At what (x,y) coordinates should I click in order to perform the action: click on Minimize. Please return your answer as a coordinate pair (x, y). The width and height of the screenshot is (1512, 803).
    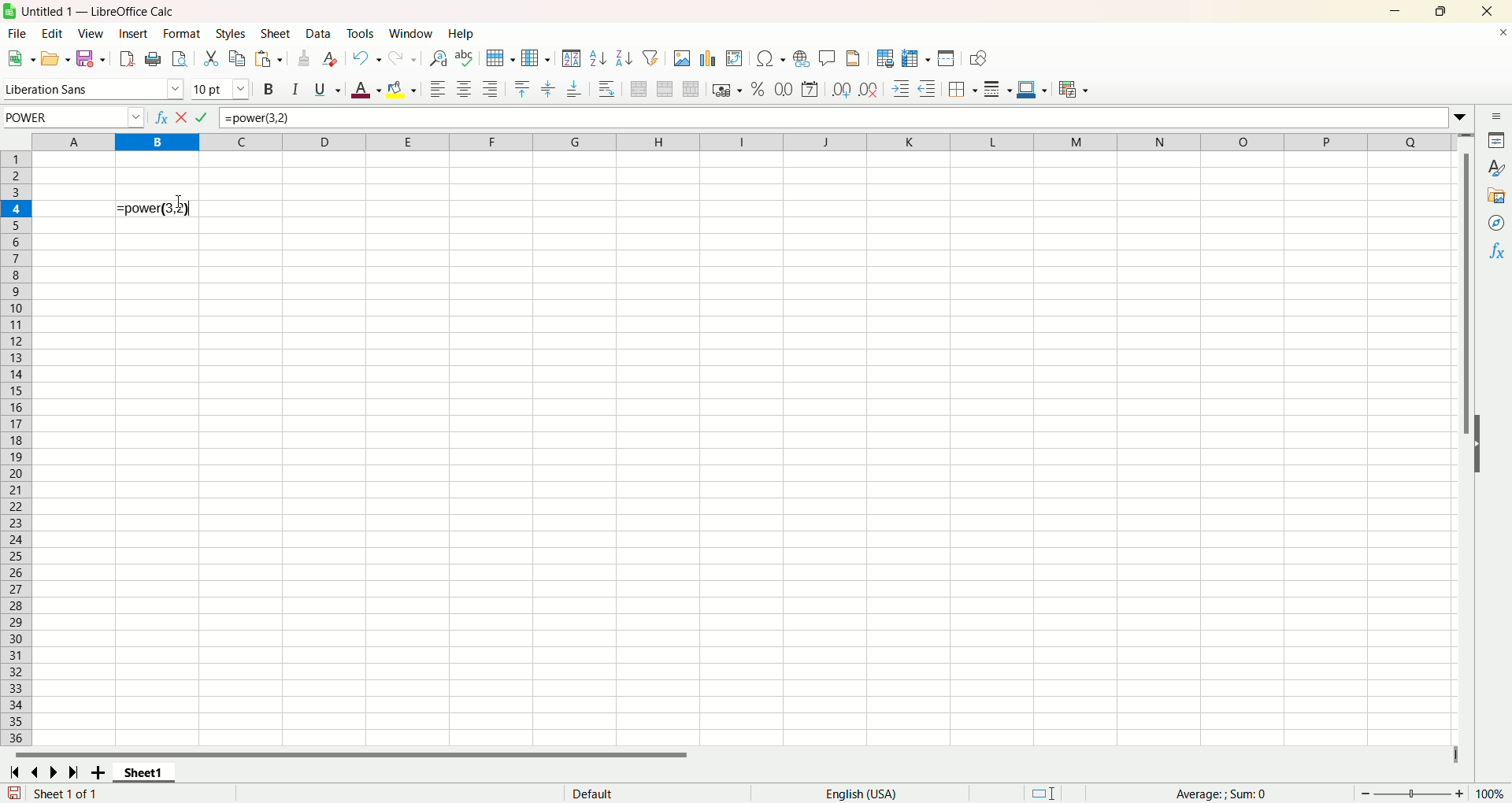
    Looking at the image, I should click on (1398, 12).